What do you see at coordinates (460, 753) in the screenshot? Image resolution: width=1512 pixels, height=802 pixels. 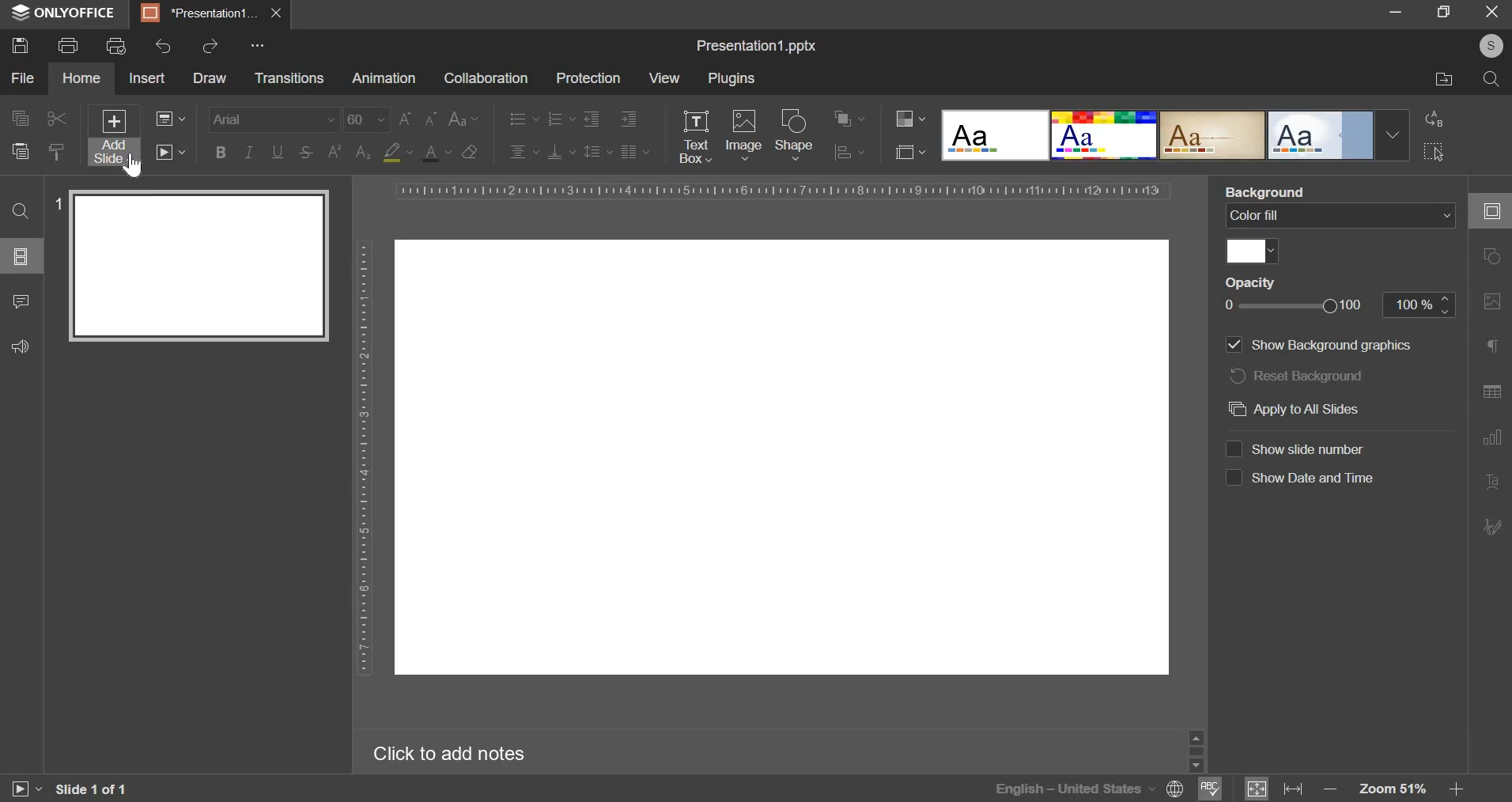 I see `click to add notes` at bounding box center [460, 753].